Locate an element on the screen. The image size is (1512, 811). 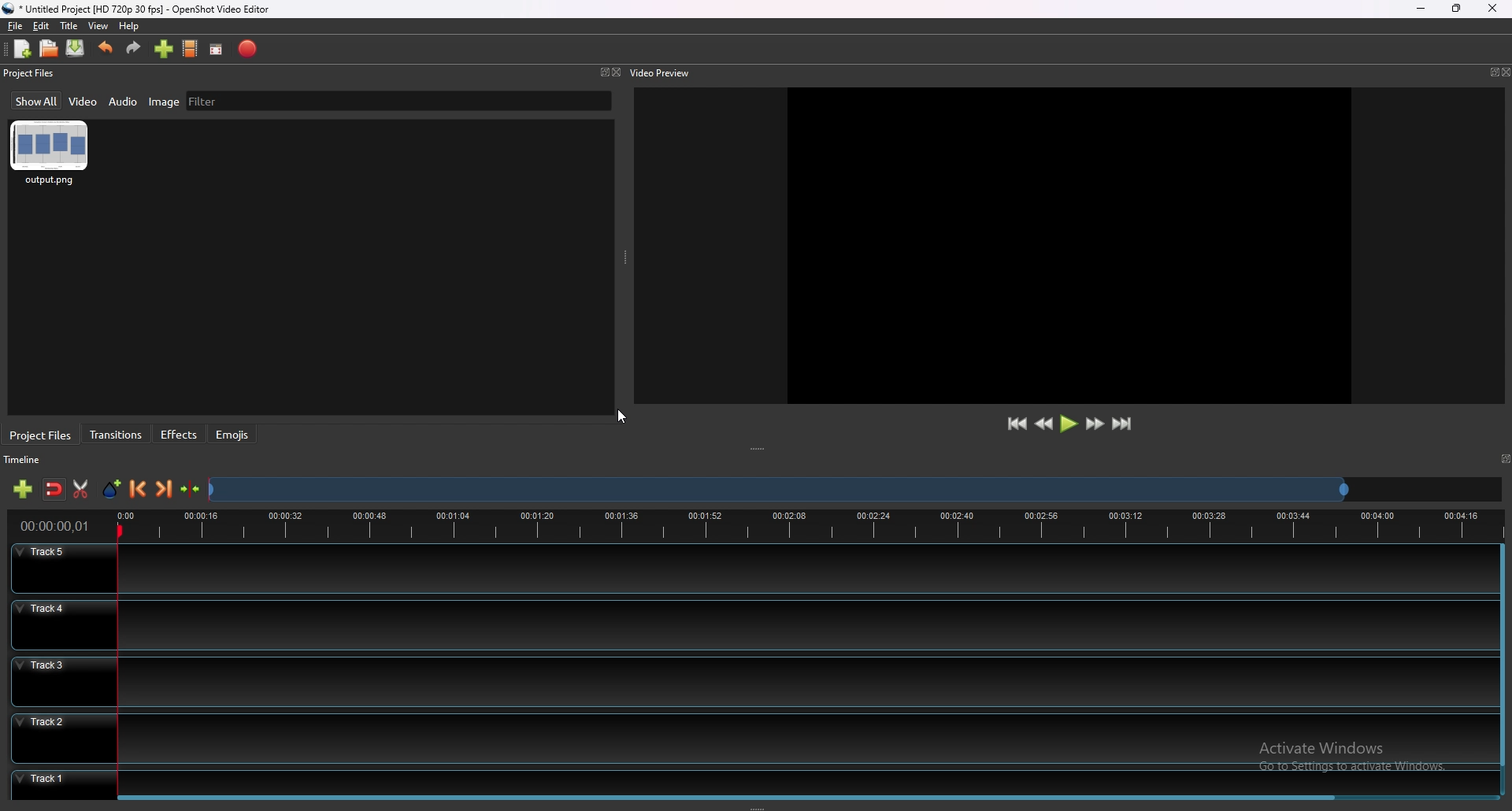
project files is located at coordinates (31, 72).